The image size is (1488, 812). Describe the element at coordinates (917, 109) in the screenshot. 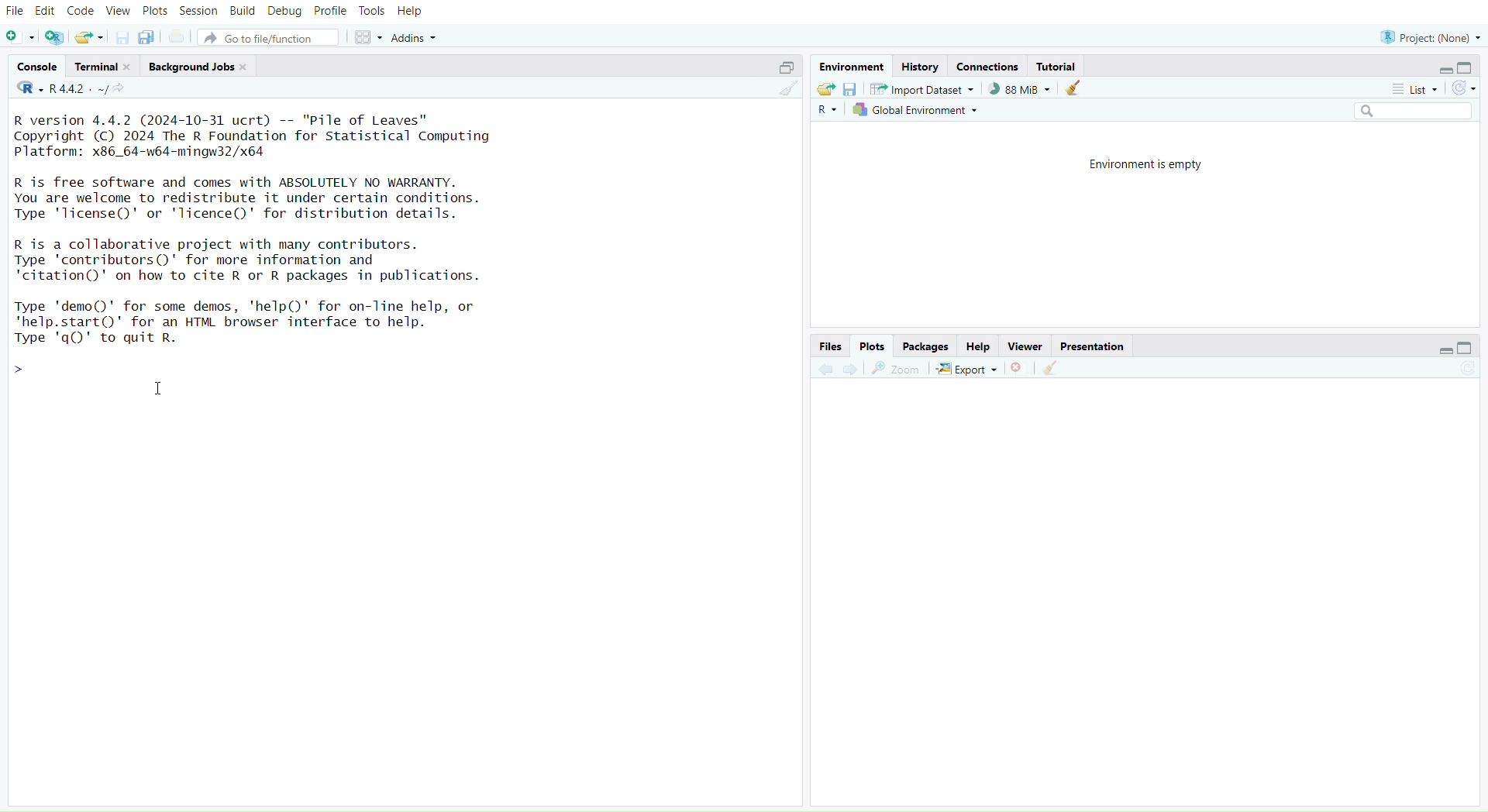

I see `global environment` at that location.